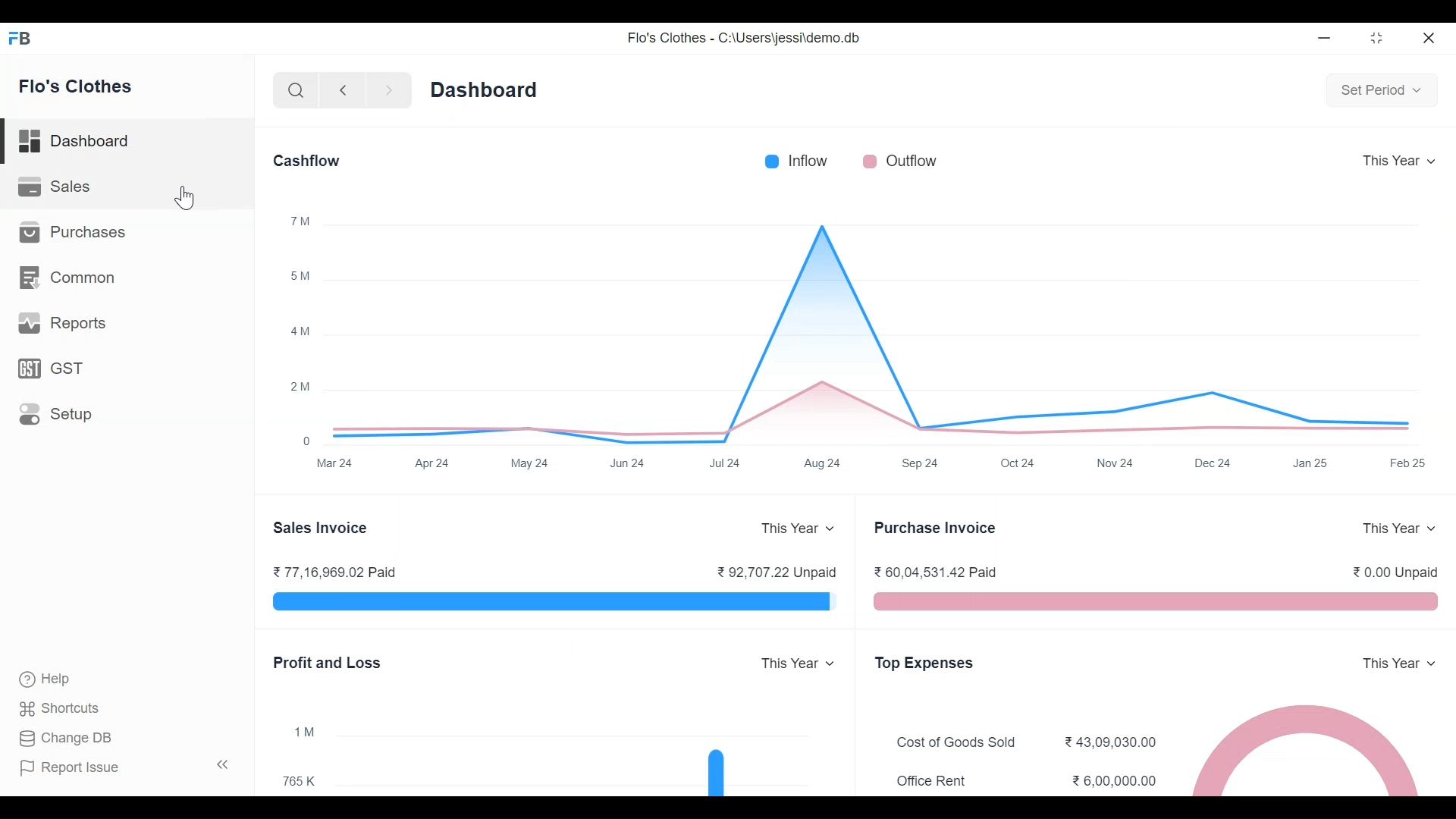 The image size is (1456, 819). Describe the element at coordinates (65, 739) in the screenshot. I see `Change DB` at that location.